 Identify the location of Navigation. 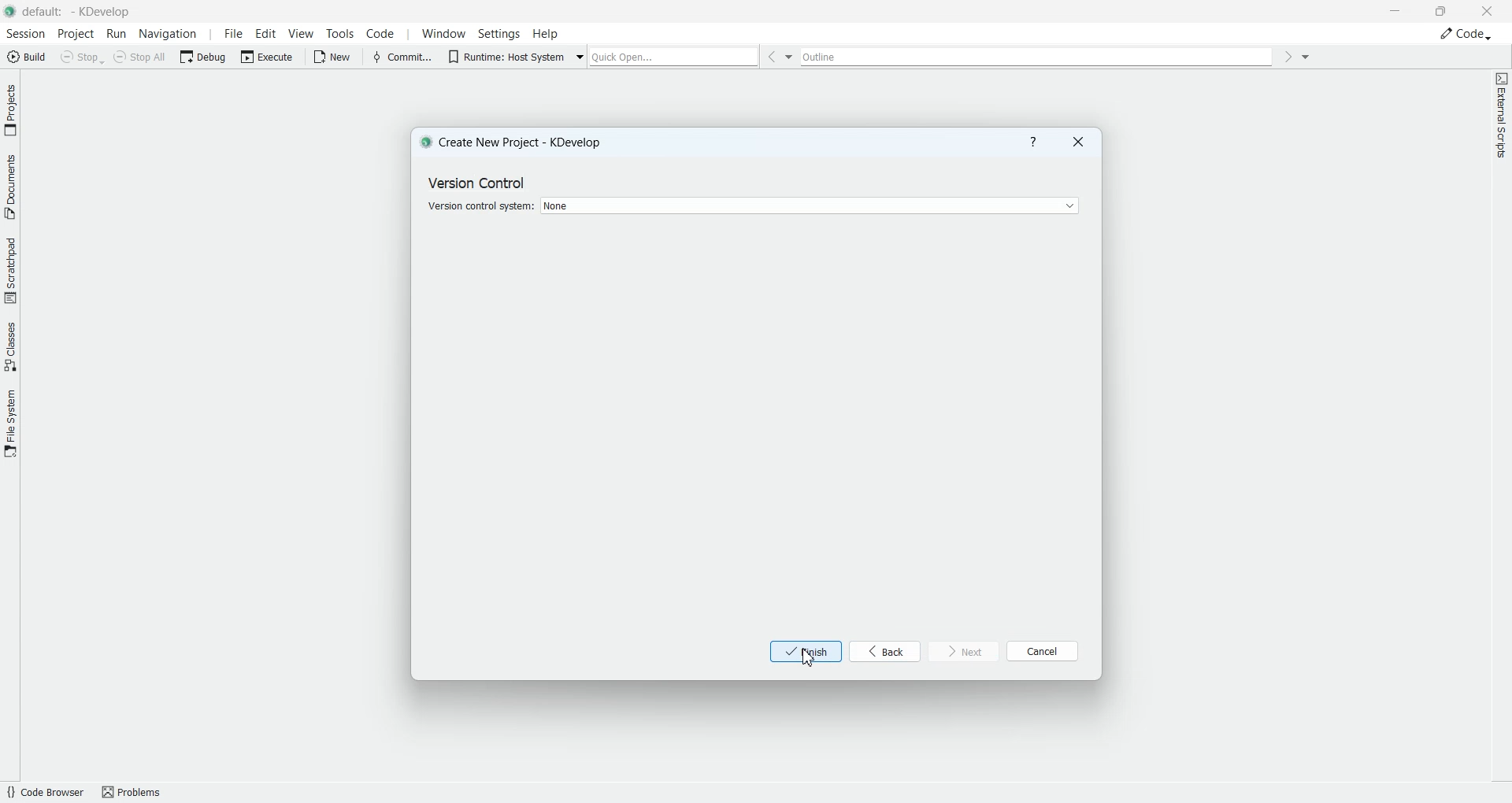
(170, 34).